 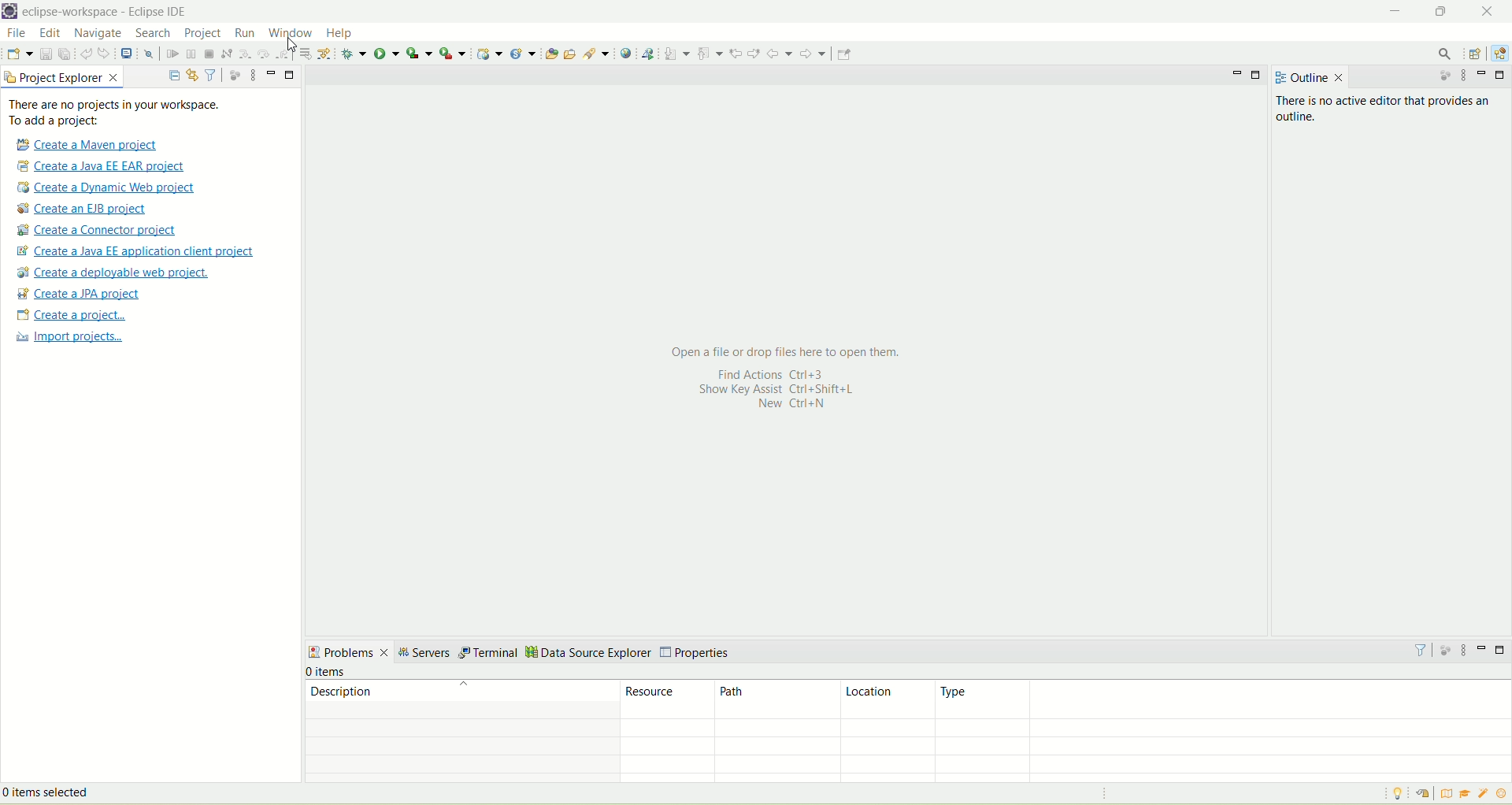 What do you see at coordinates (521, 54) in the screenshot?
I see `create a new java servlet` at bounding box center [521, 54].